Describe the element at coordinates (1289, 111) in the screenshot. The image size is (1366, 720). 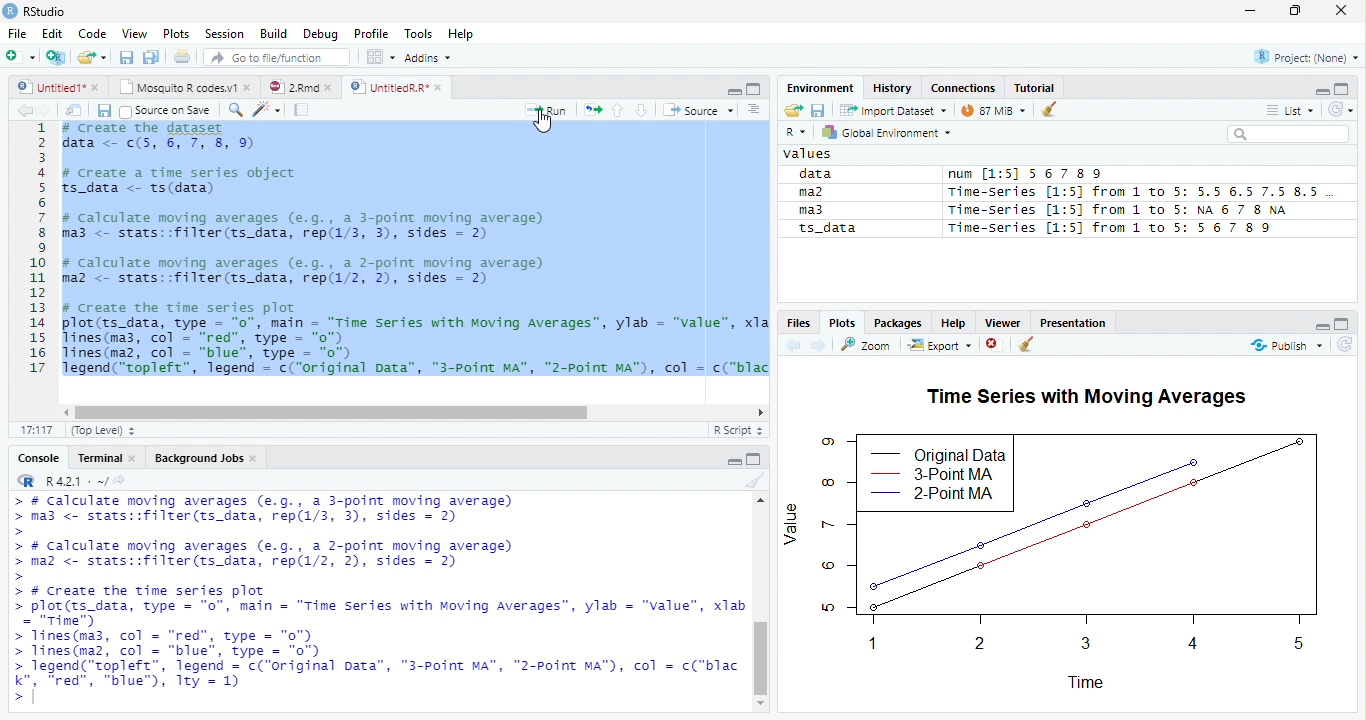
I see `List` at that location.